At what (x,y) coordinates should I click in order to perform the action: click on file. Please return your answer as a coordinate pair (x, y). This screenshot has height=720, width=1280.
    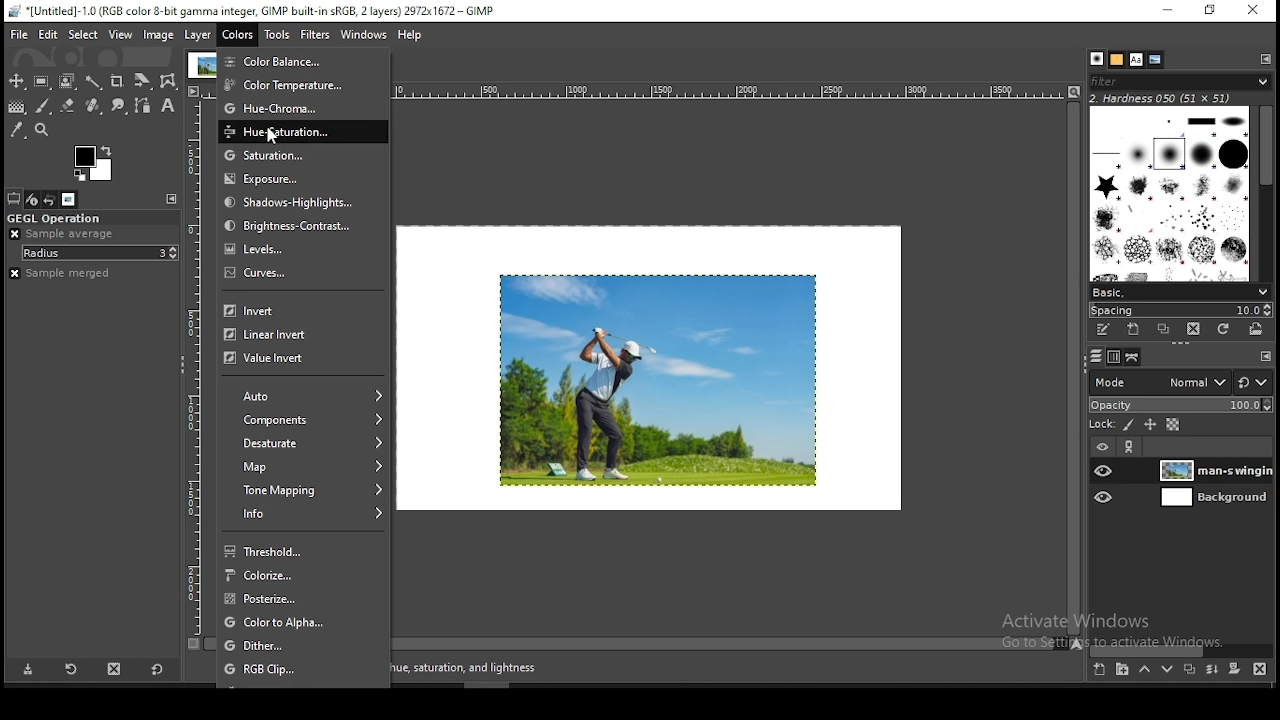
    Looking at the image, I should click on (20, 33).